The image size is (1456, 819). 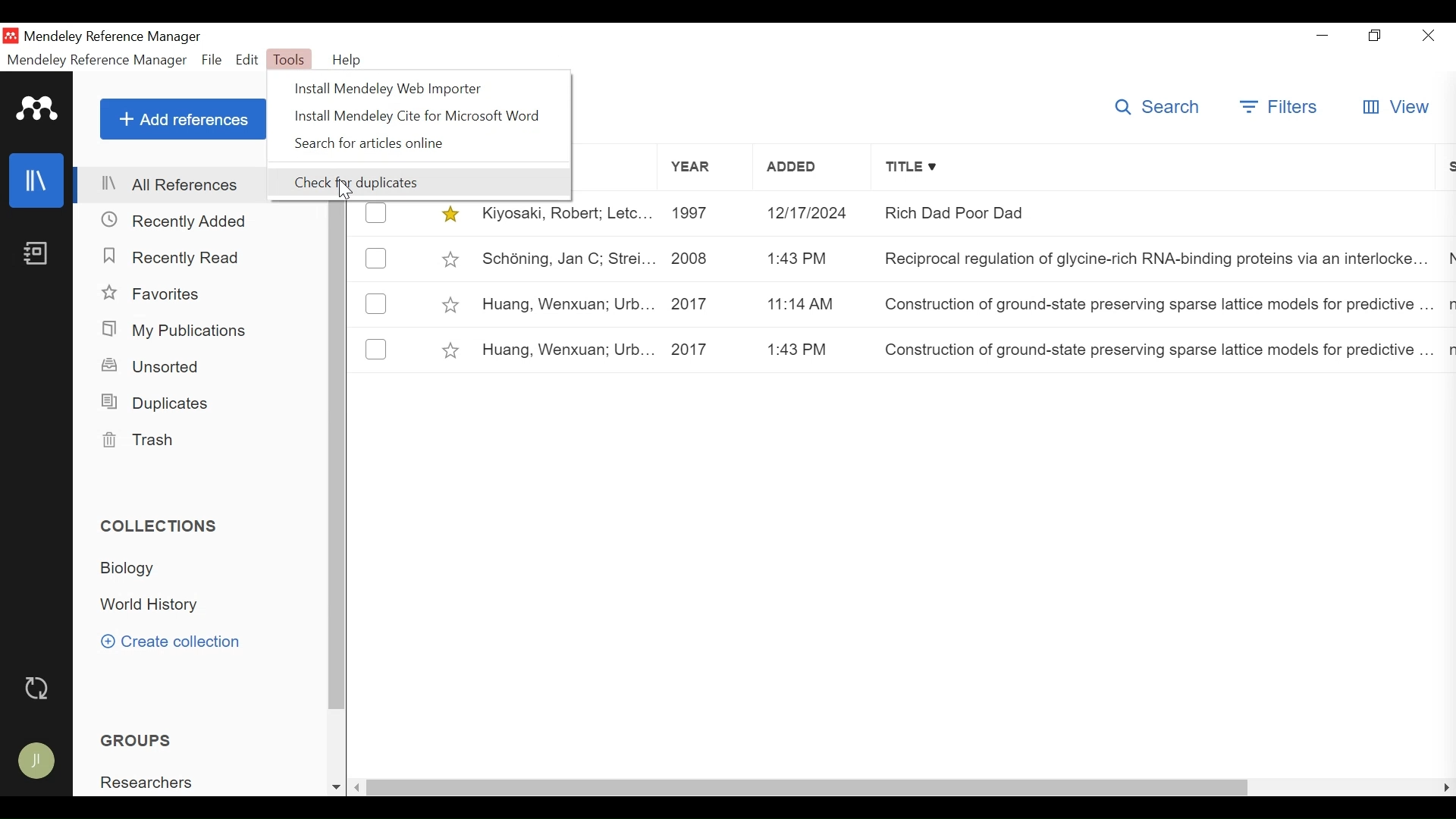 What do you see at coordinates (37, 180) in the screenshot?
I see `Library` at bounding box center [37, 180].